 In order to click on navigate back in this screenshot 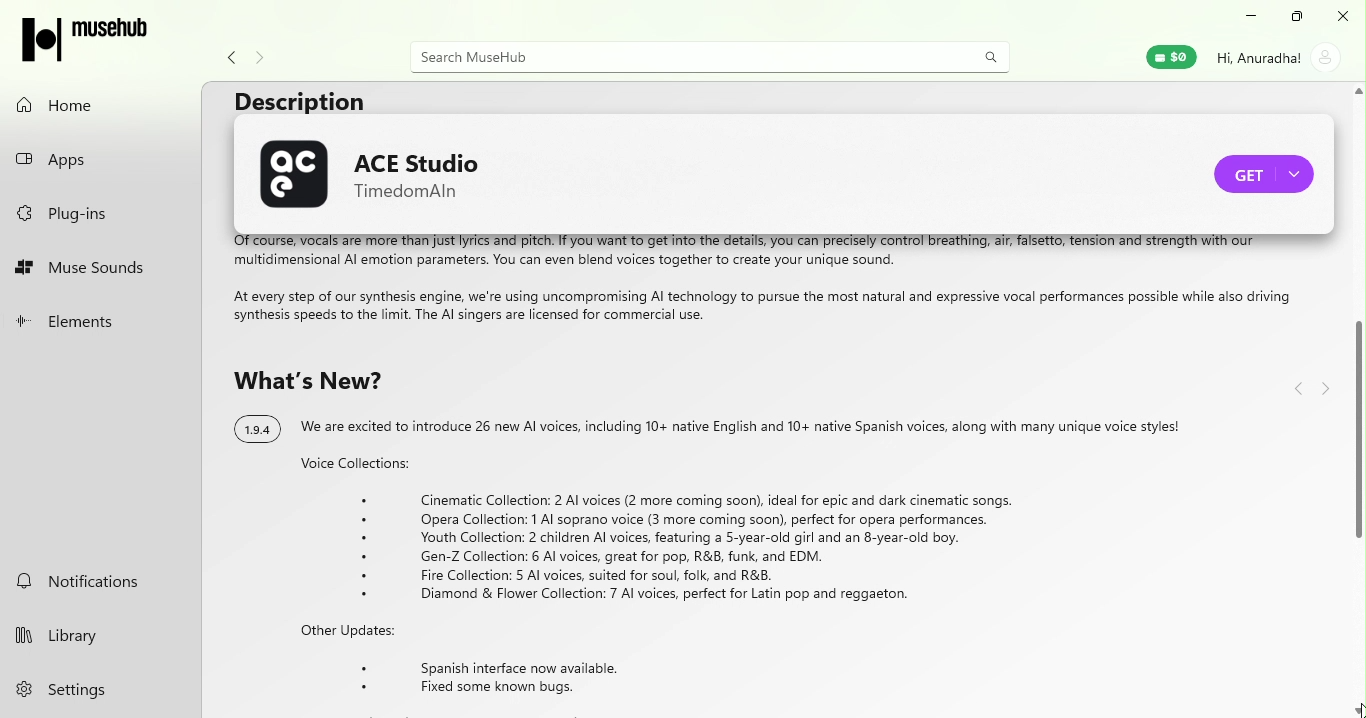, I will do `click(232, 55)`.